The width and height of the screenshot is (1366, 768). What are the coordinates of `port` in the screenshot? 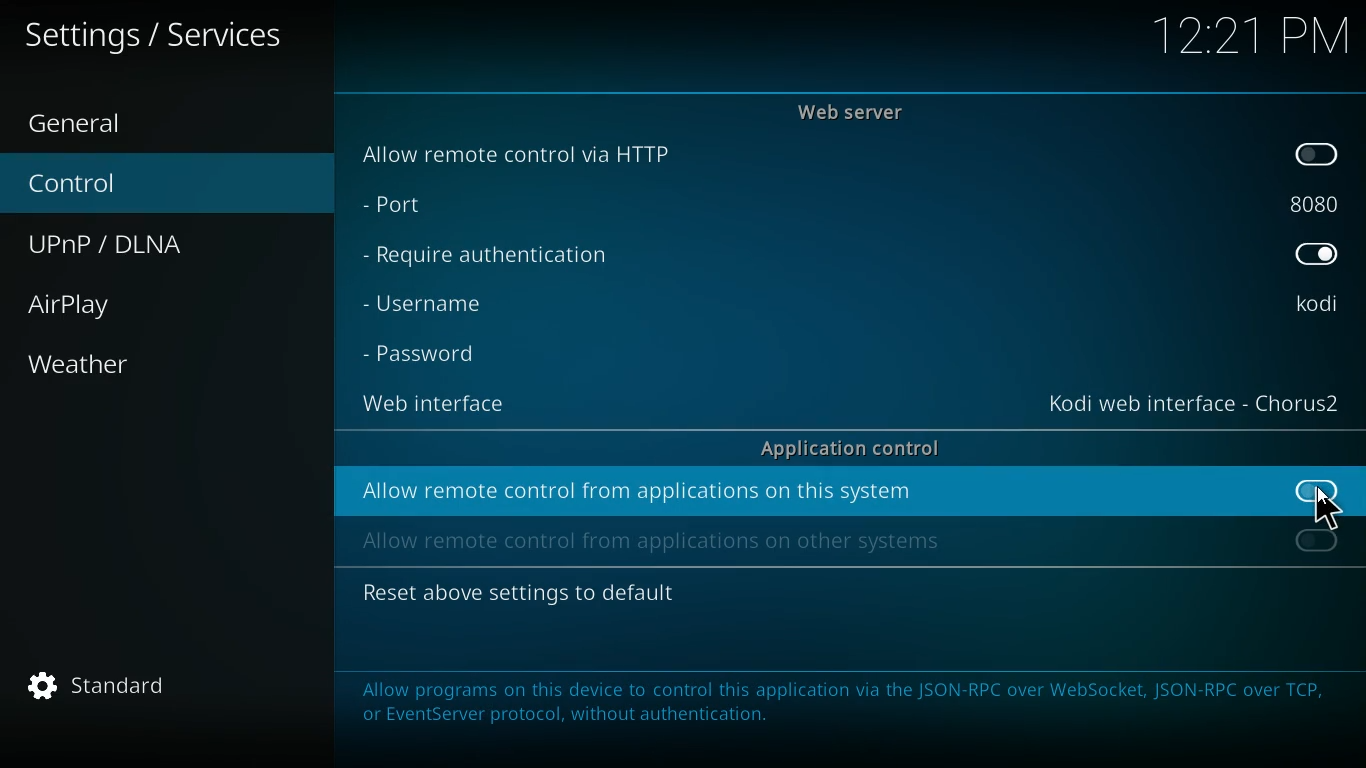 It's located at (1317, 206).